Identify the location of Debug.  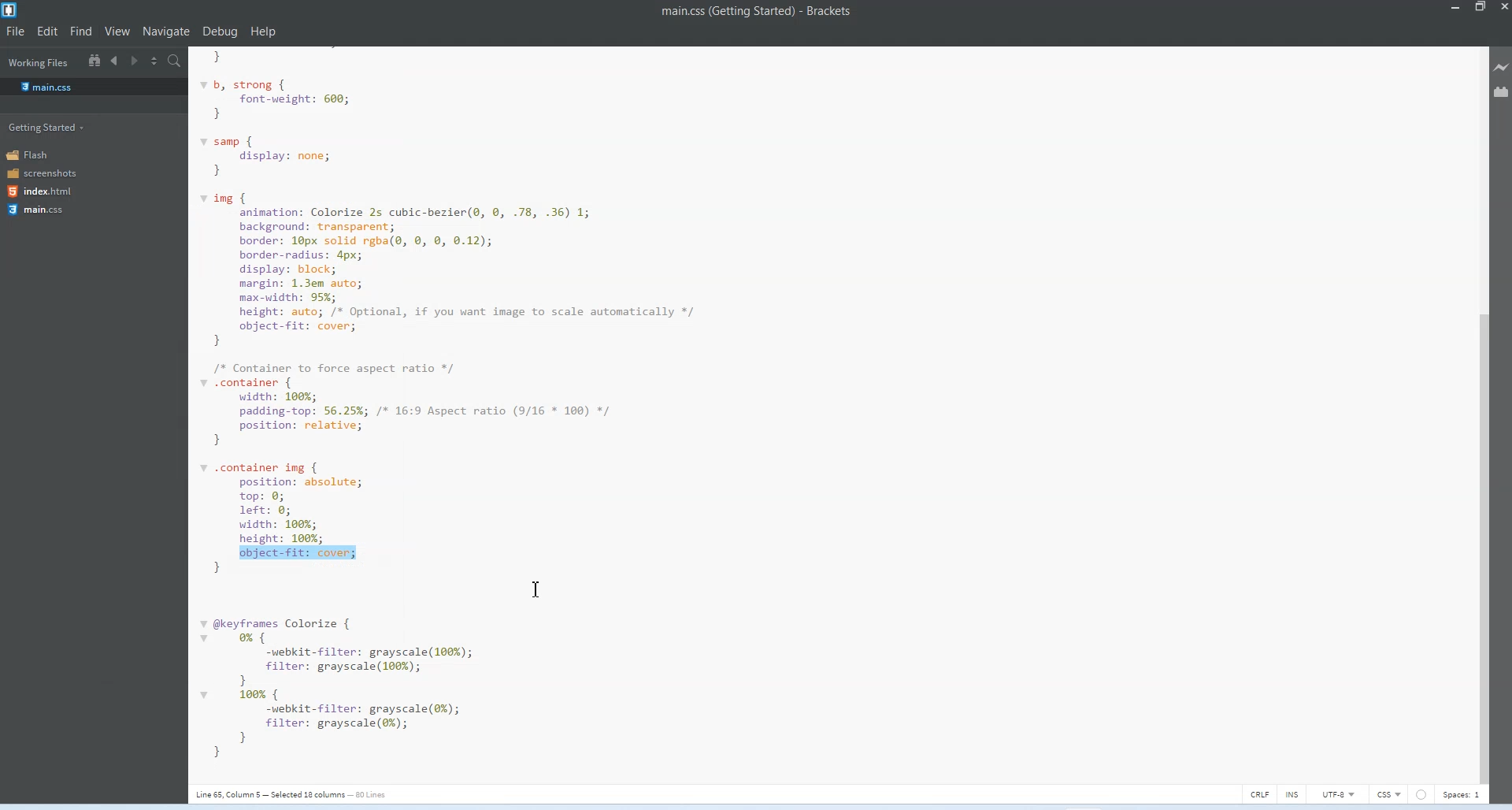
(220, 32).